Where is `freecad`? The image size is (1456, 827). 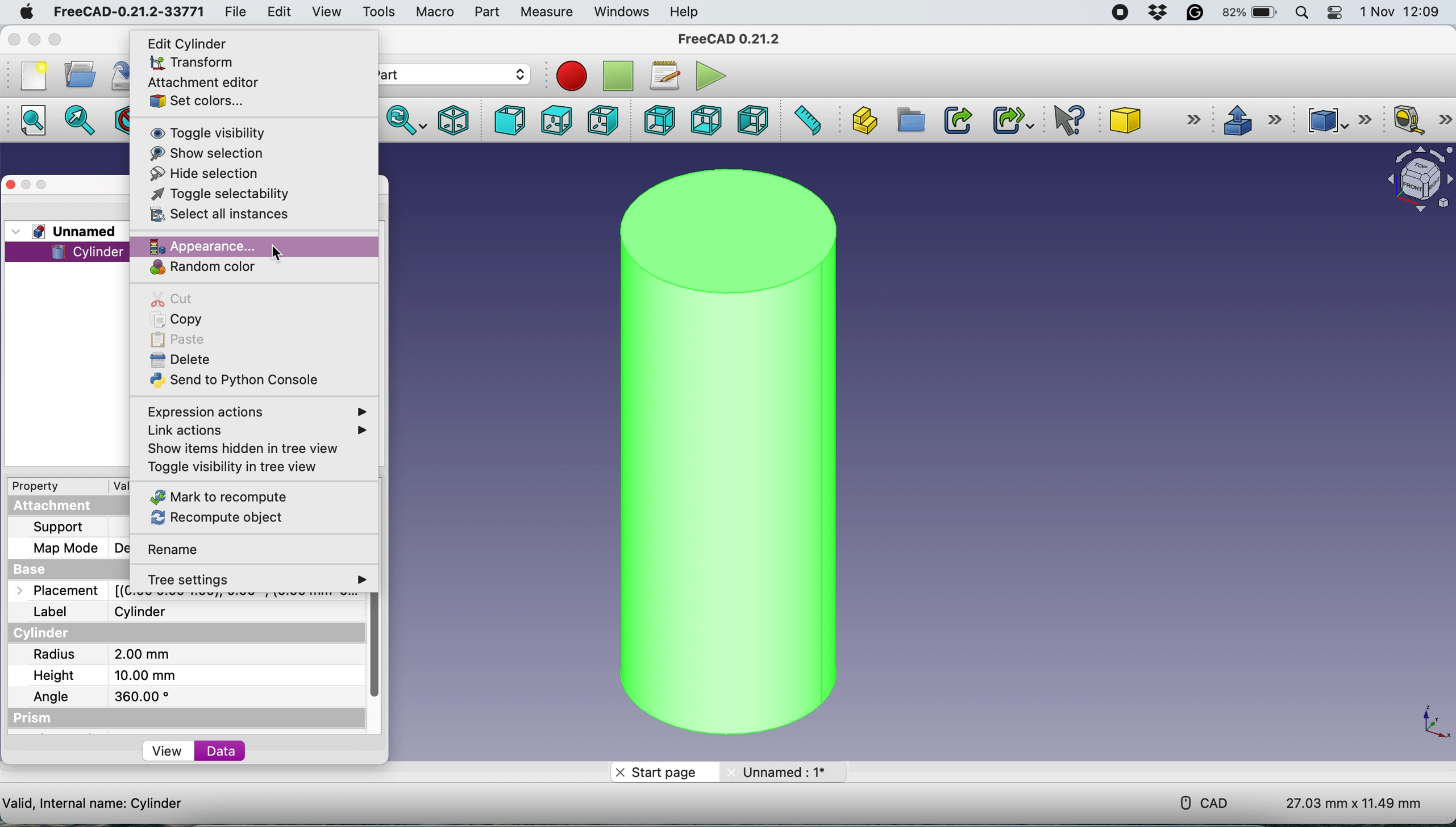
freecad is located at coordinates (126, 12).